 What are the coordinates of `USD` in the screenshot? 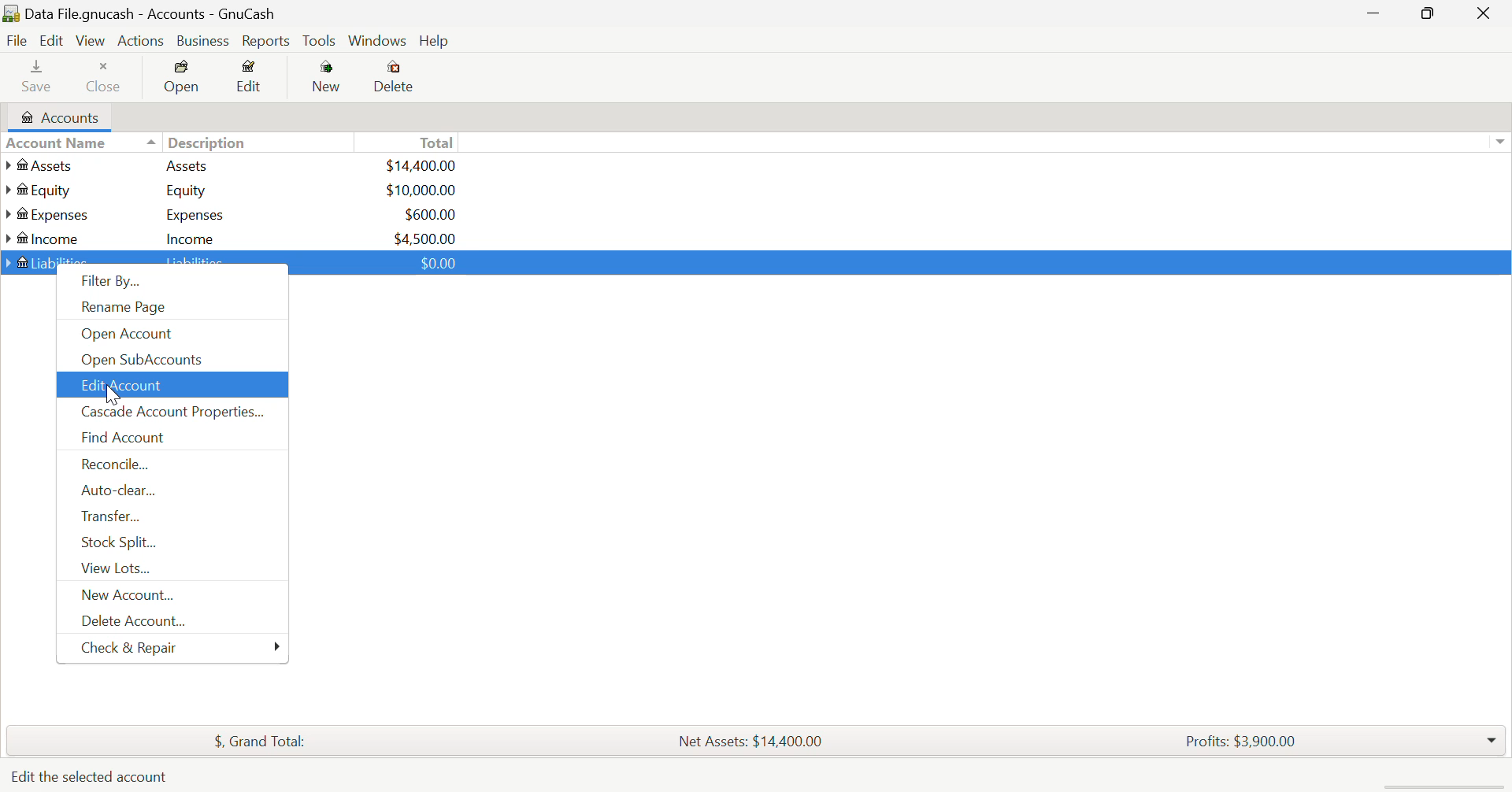 It's located at (421, 190).